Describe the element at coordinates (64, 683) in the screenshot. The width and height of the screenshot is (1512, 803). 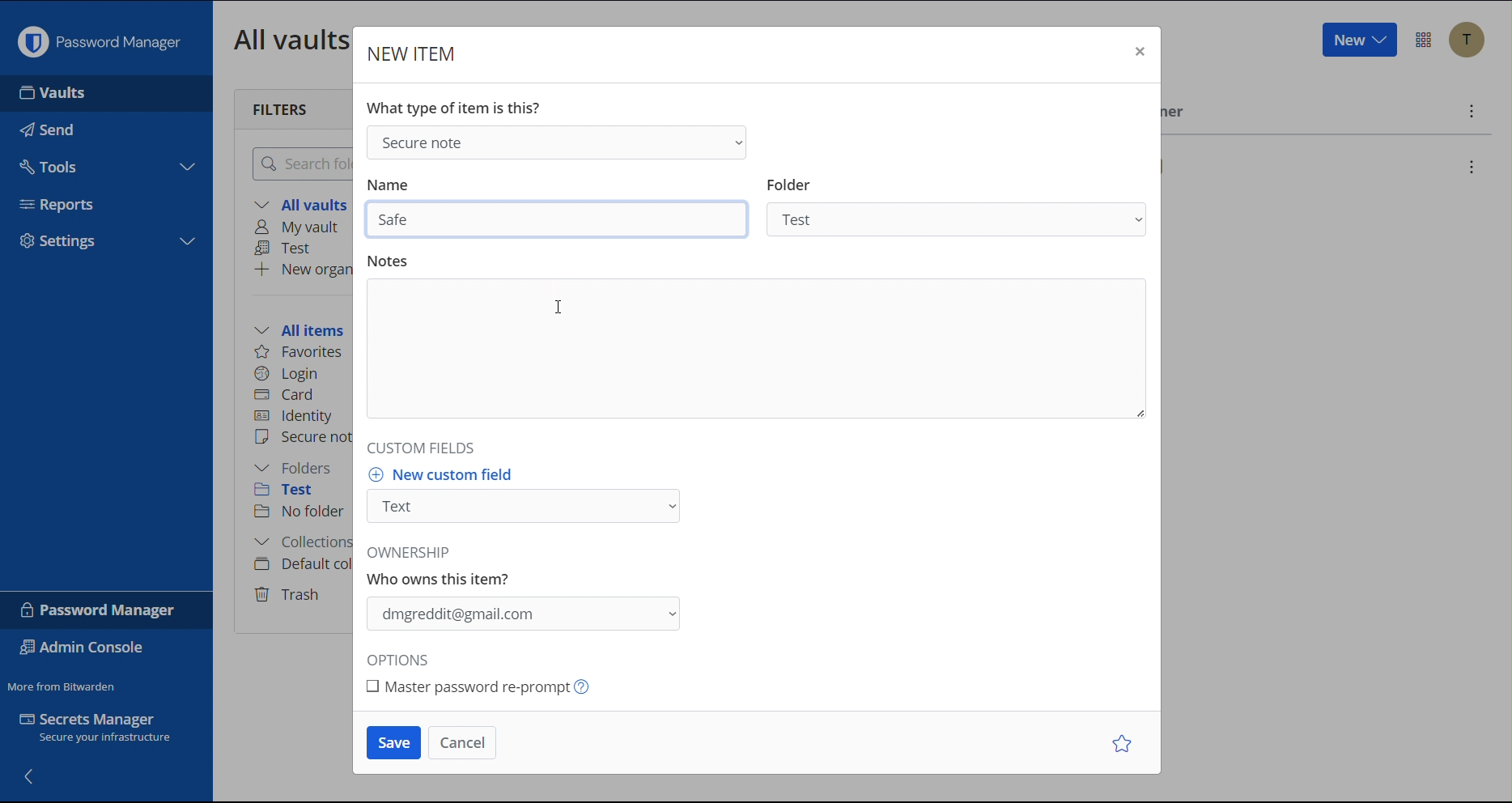
I see `More from Bitwarden` at that location.